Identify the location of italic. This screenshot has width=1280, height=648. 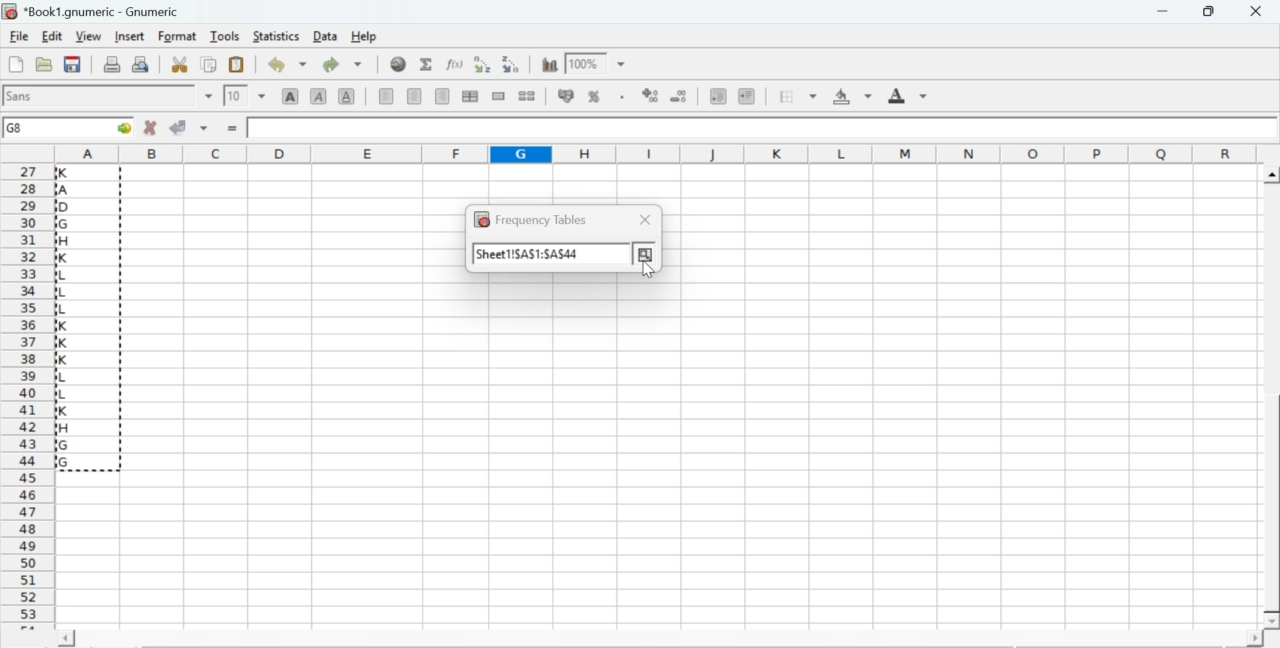
(320, 95).